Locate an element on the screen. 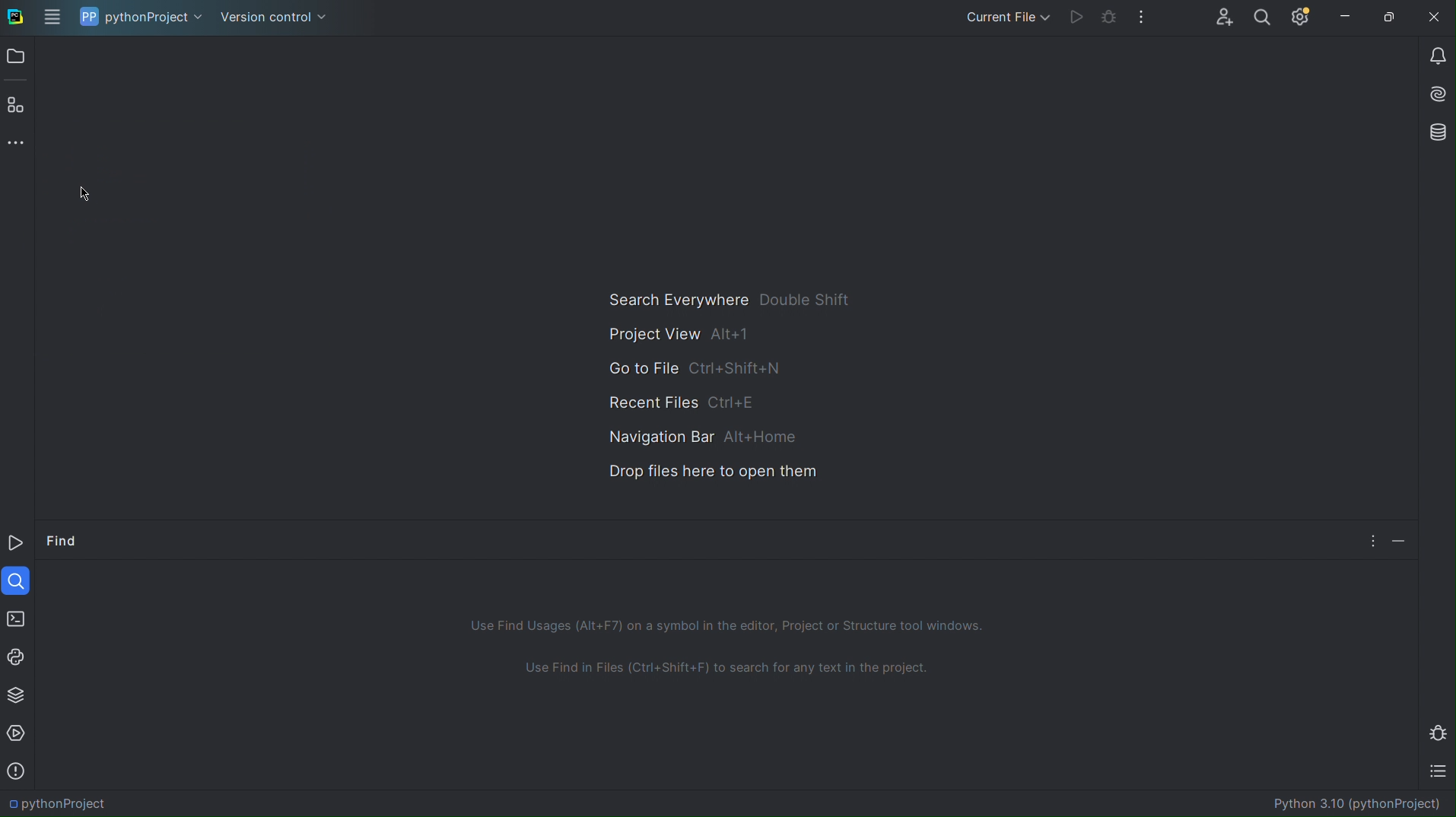  Problems is located at coordinates (19, 769).